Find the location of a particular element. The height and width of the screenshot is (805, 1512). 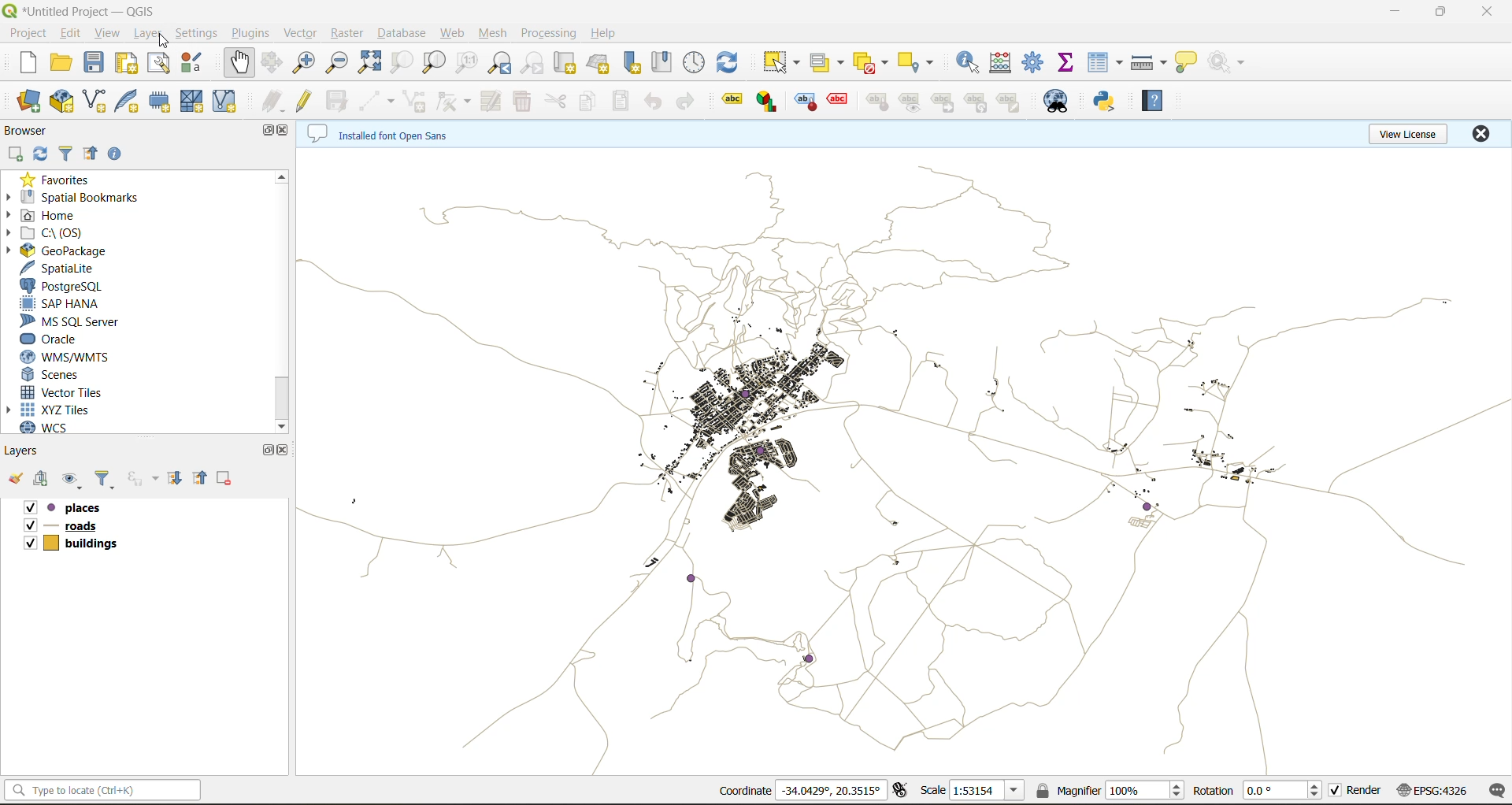

attributes table is located at coordinates (1106, 65).